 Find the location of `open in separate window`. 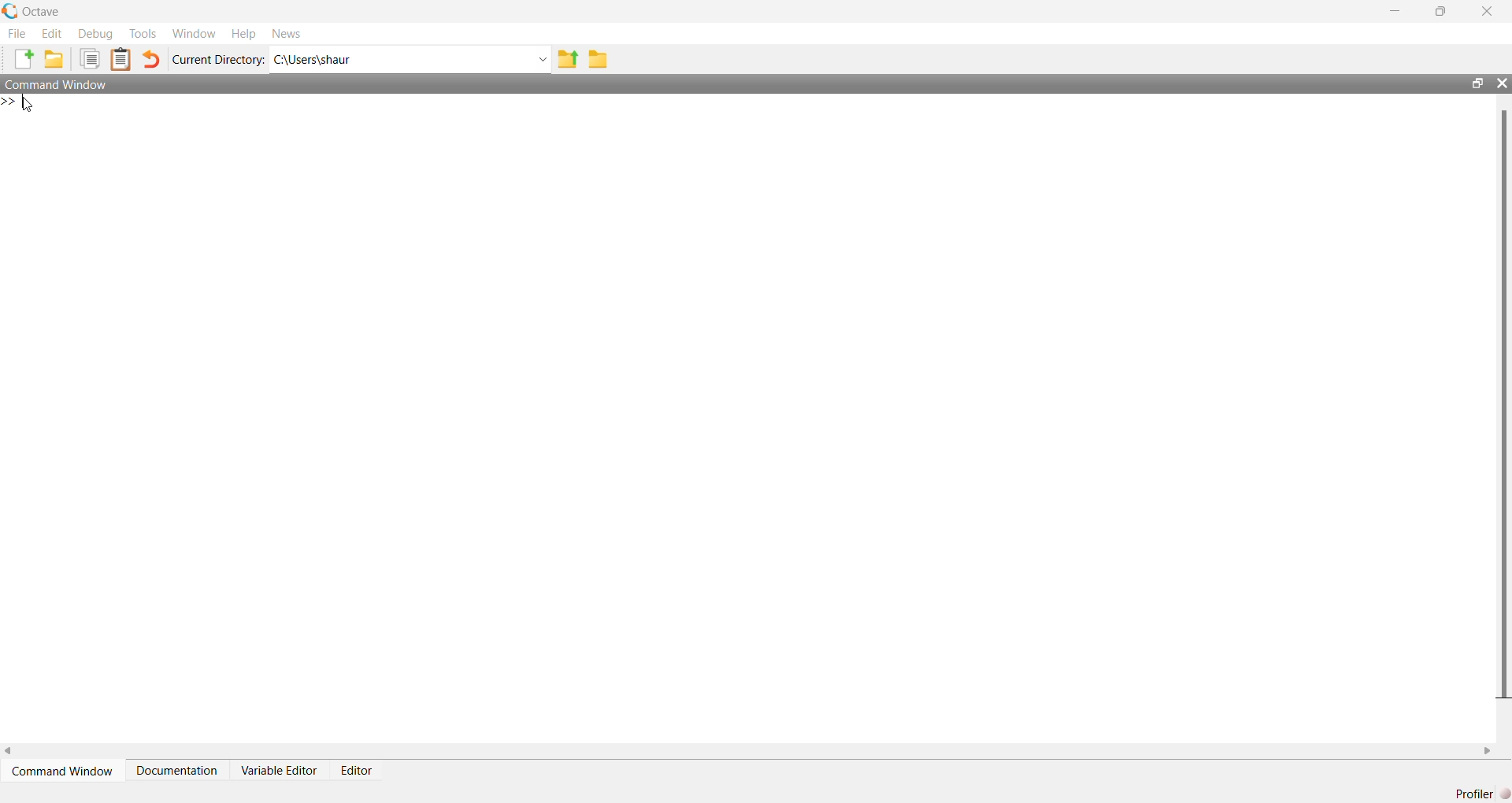

open in separate window is located at coordinates (1479, 83).